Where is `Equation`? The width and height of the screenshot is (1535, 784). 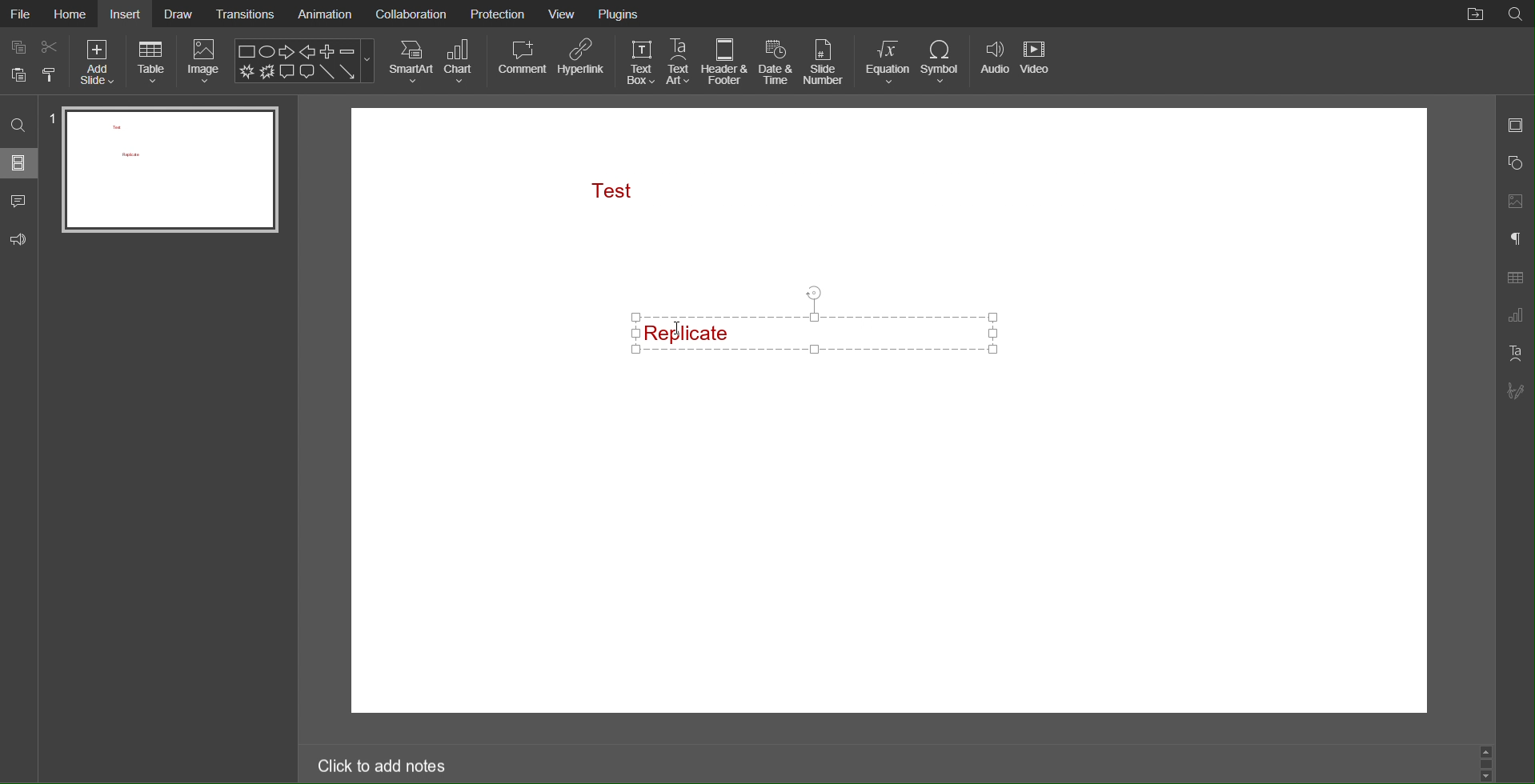
Equation is located at coordinates (888, 62).